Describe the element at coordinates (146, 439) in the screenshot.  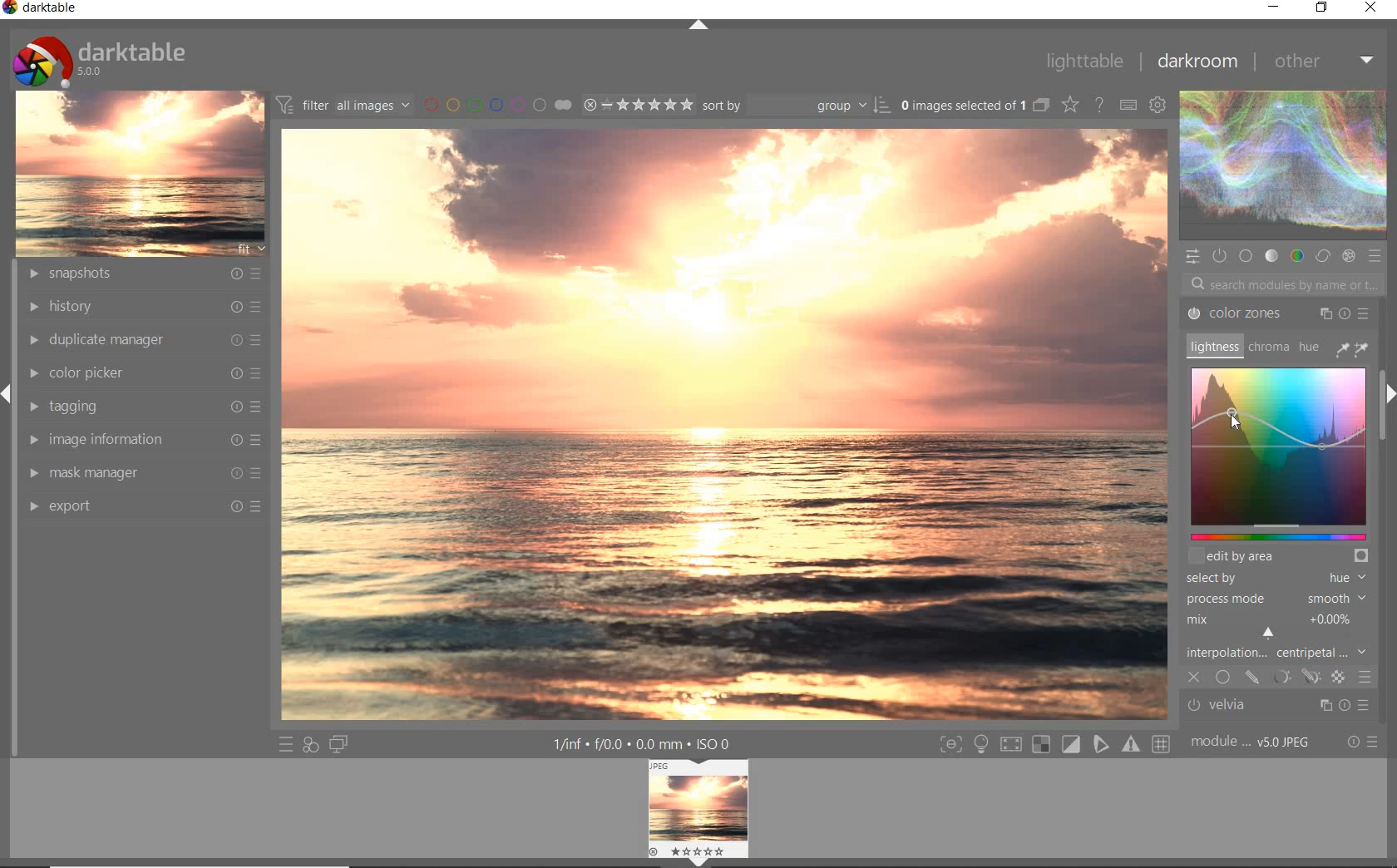
I see `IMAGE INFORMATION` at that location.